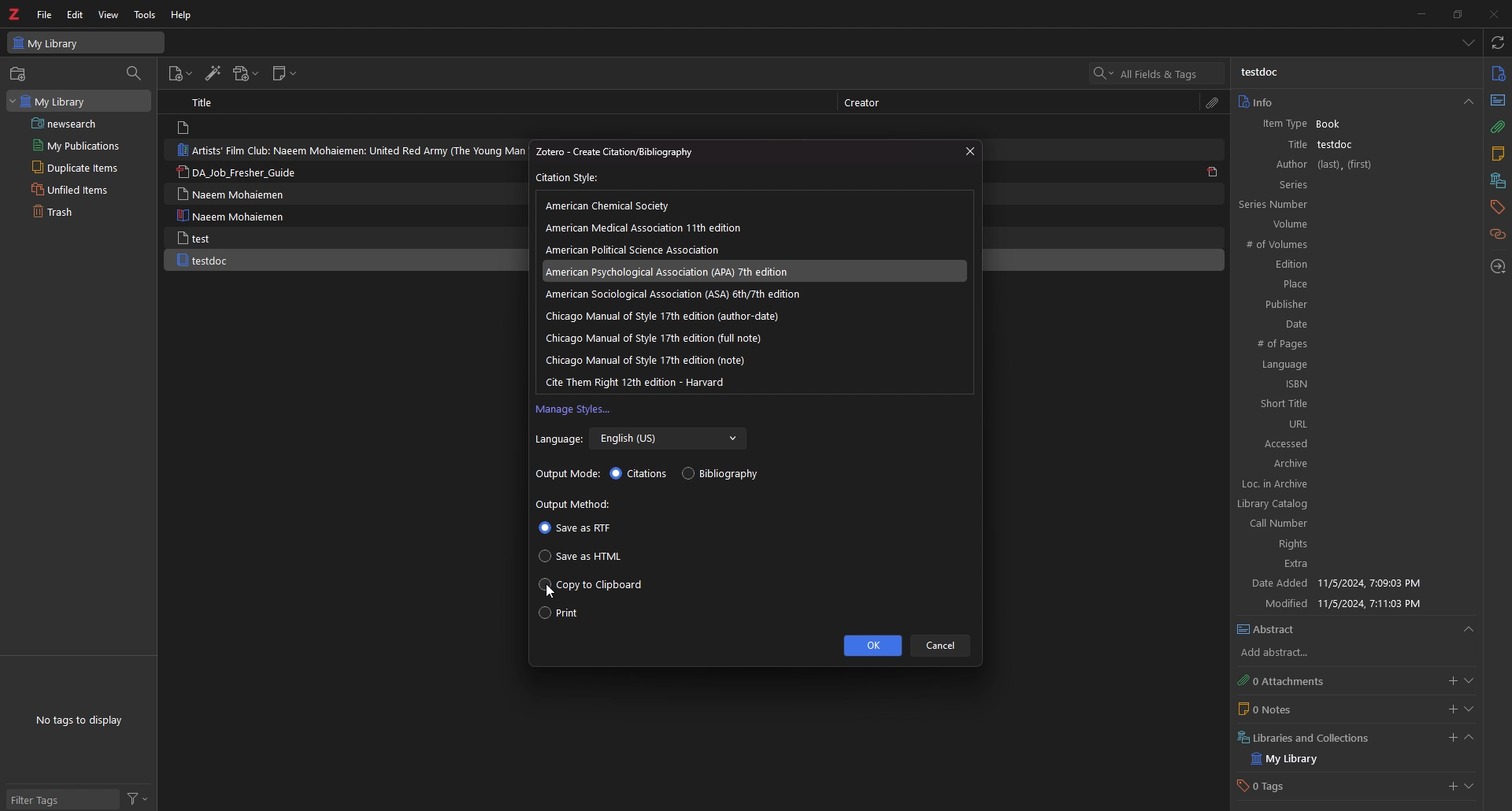 This screenshot has width=1512, height=811. I want to click on add libraries or collection, so click(1450, 740).